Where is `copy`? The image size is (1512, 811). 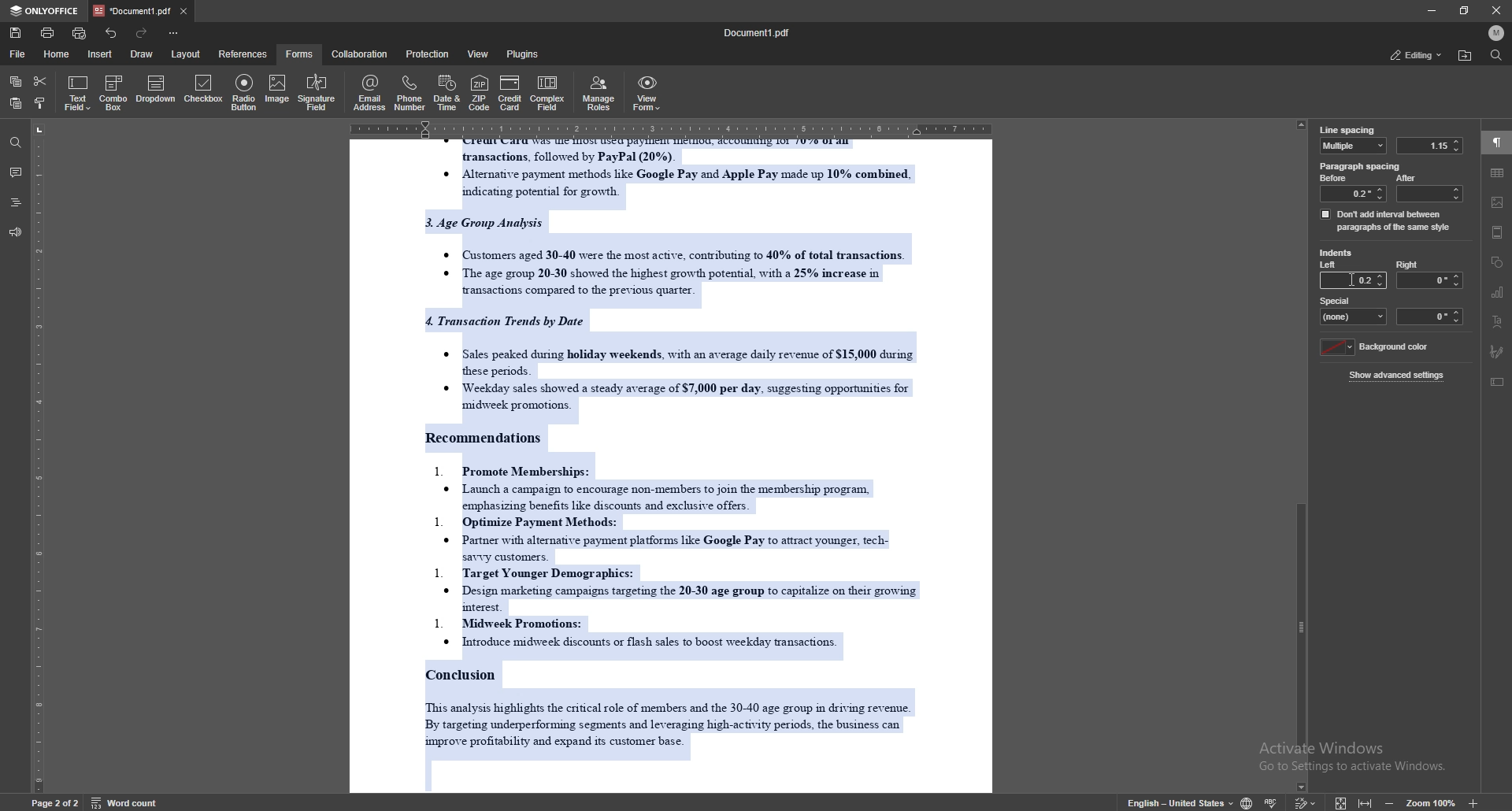 copy is located at coordinates (16, 82).